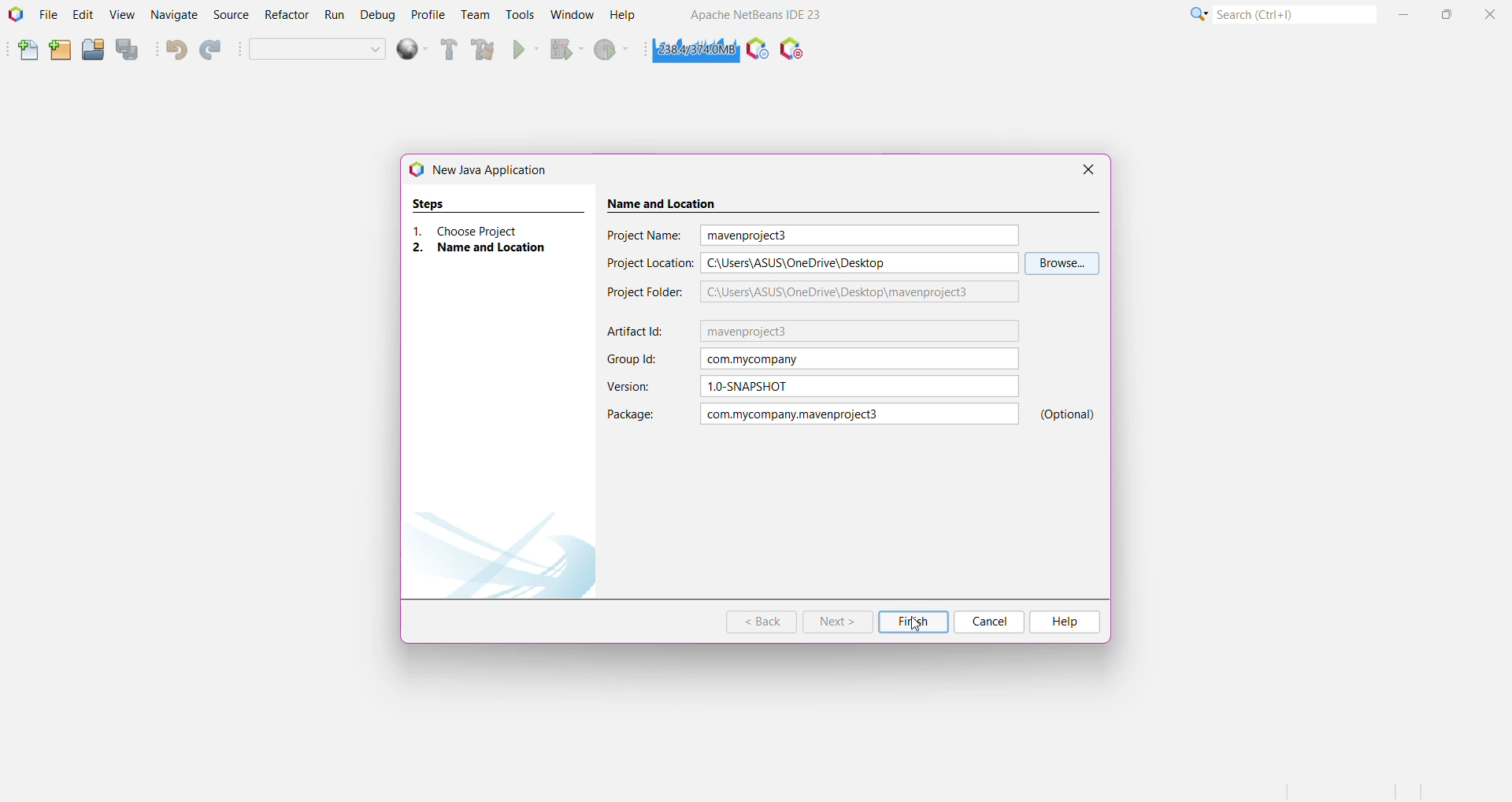 This screenshot has width=1512, height=802. I want to click on Set Project Configuration, so click(317, 49).